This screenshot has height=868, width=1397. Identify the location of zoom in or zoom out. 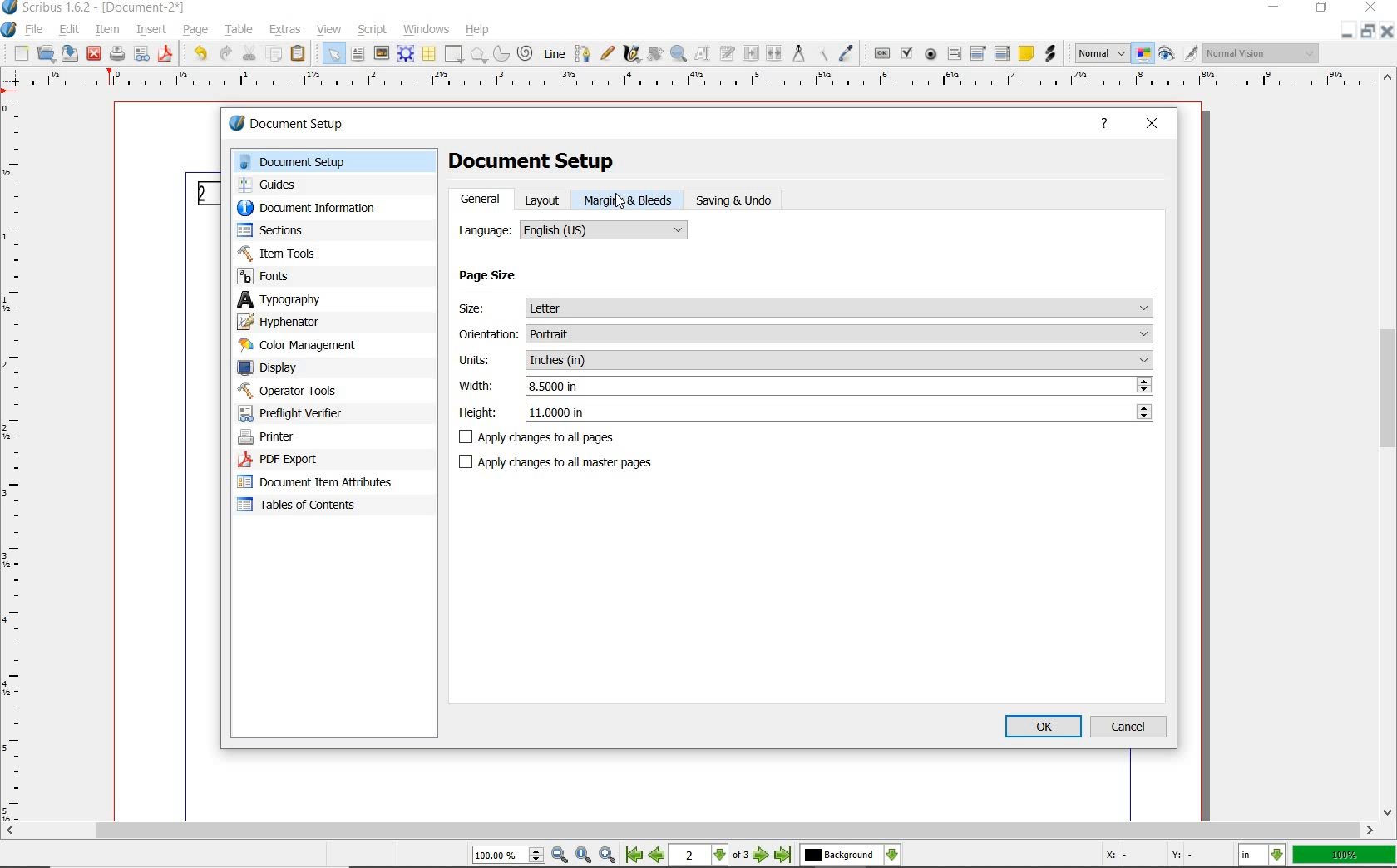
(679, 55).